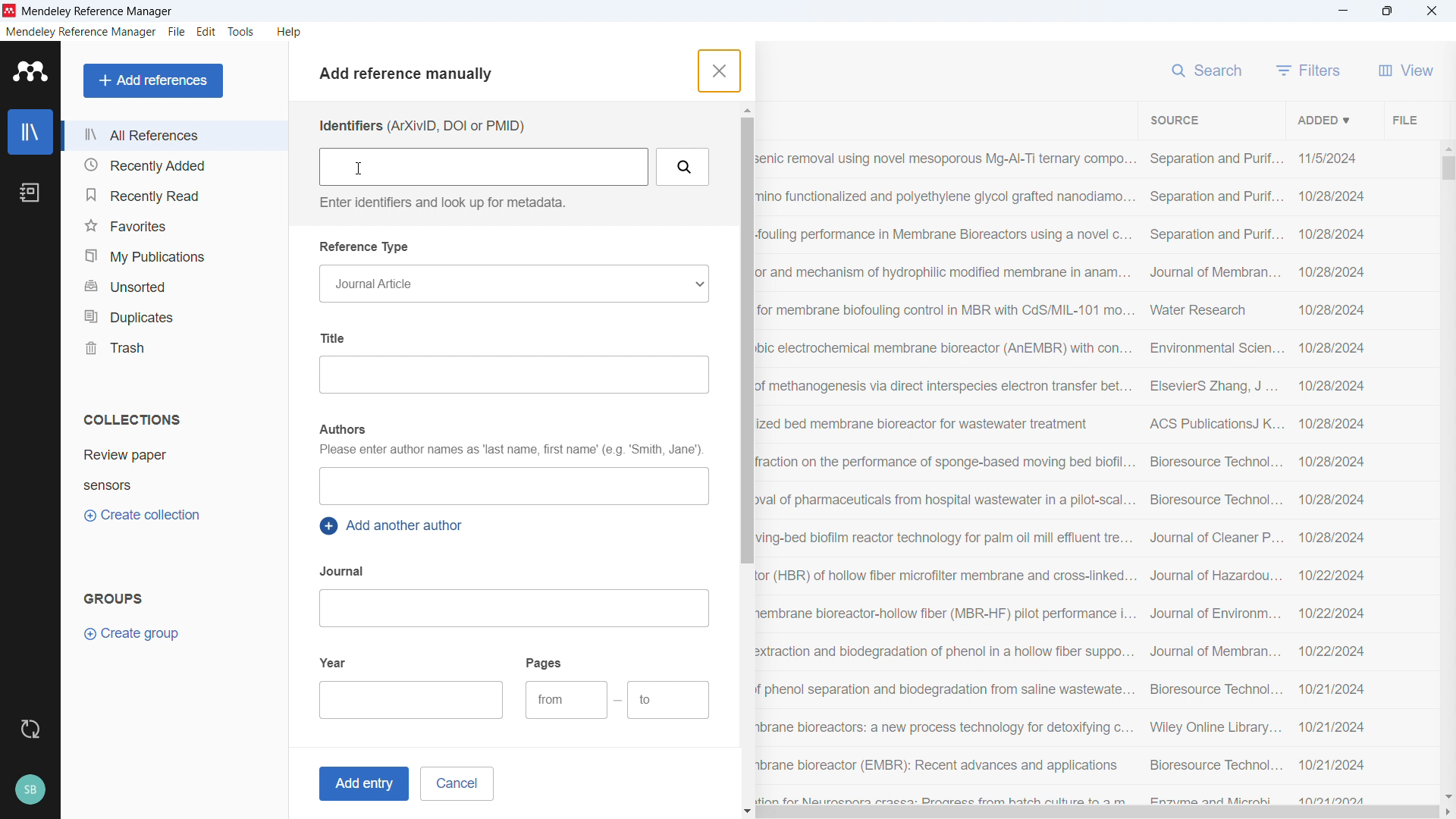 This screenshot has width=1456, height=819. What do you see at coordinates (457, 783) in the screenshot?
I see `cancel ` at bounding box center [457, 783].